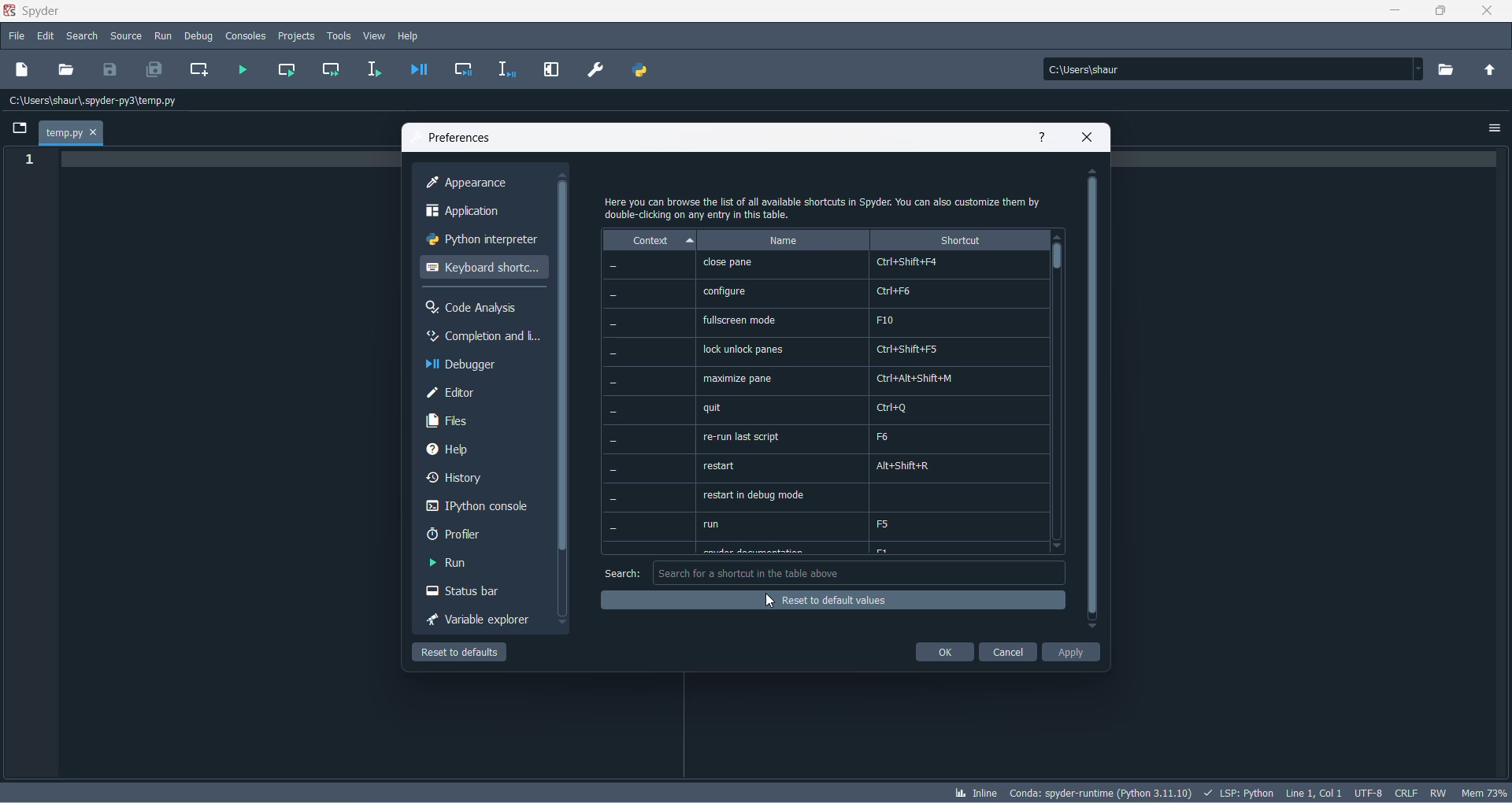 The height and width of the screenshot is (803, 1512). I want to click on ok, so click(944, 652).